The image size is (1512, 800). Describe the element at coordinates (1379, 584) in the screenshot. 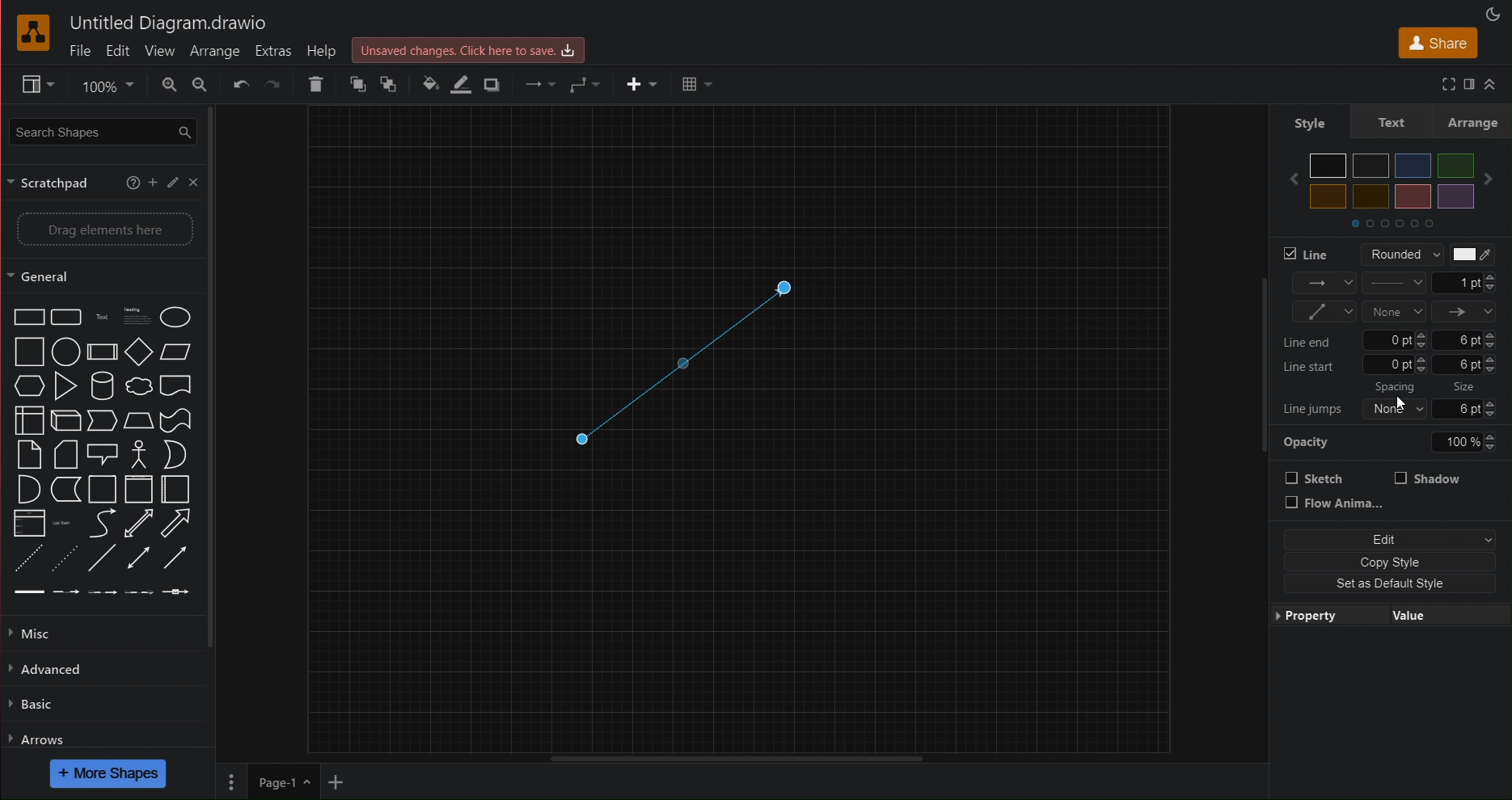

I see `Set as Default Style` at that location.